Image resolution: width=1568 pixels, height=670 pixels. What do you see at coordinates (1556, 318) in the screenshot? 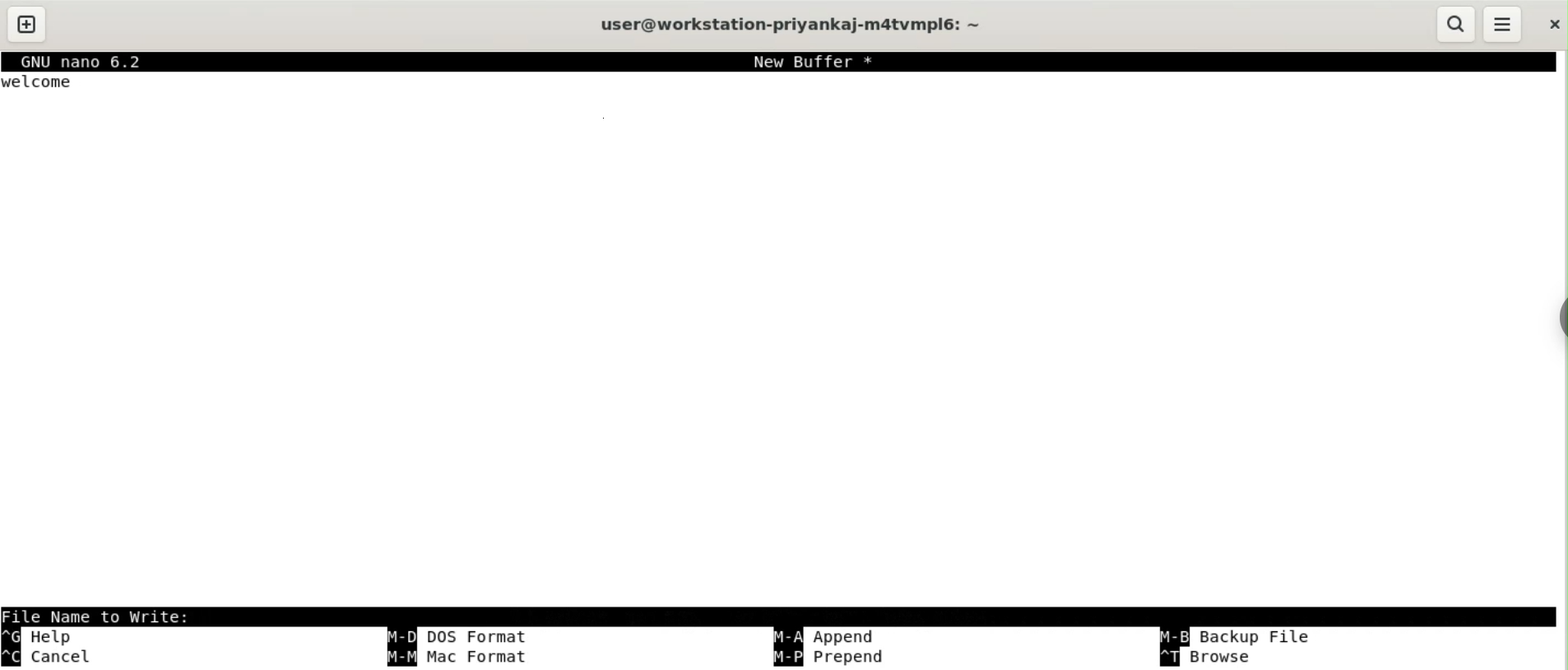
I see `sidebar` at bounding box center [1556, 318].